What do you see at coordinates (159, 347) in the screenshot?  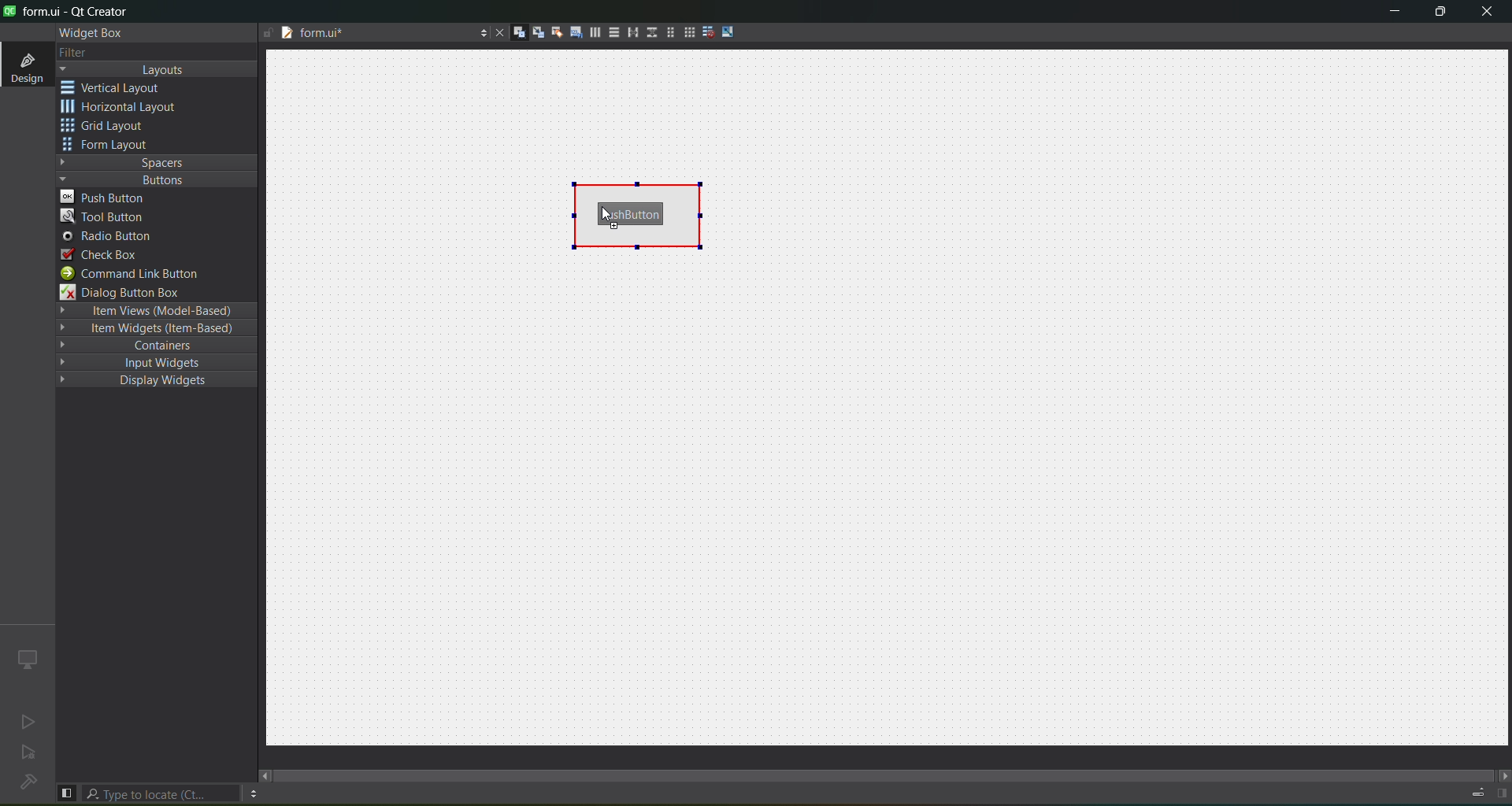 I see `containers` at bounding box center [159, 347].